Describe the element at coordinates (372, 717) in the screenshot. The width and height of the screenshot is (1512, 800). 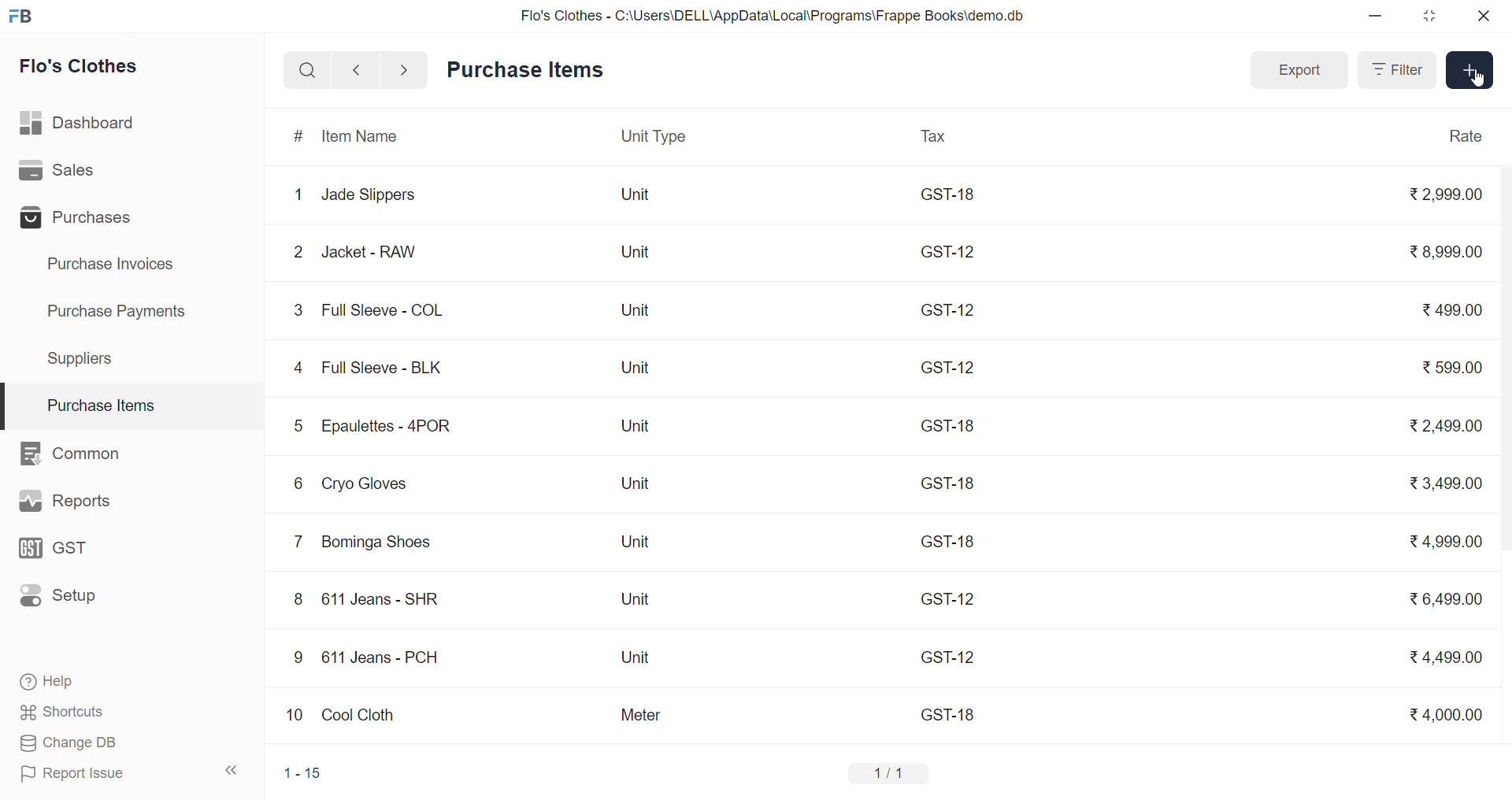
I see `Cool Cloth` at that location.